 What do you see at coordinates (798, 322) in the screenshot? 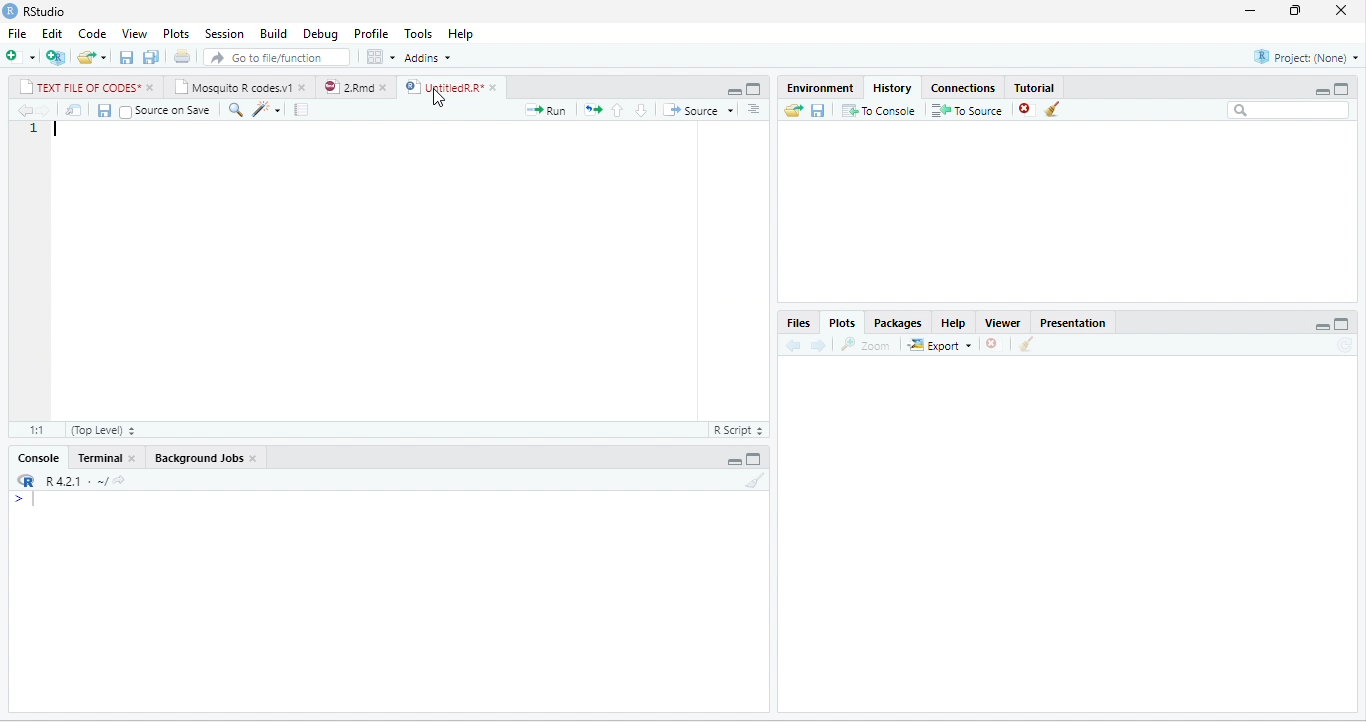
I see `Files` at bounding box center [798, 322].